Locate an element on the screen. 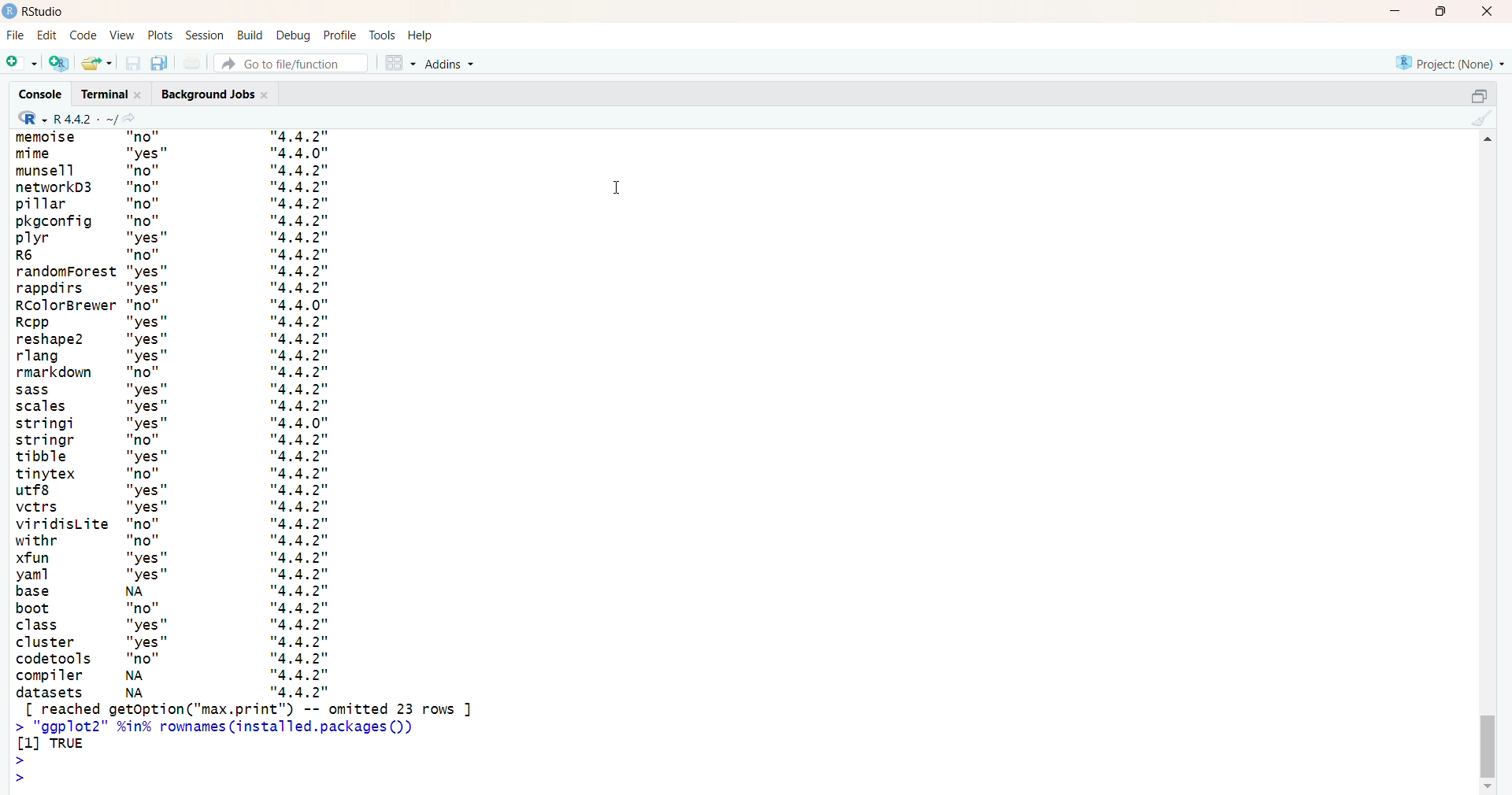  collapse is located at coordinates (1473, 98).